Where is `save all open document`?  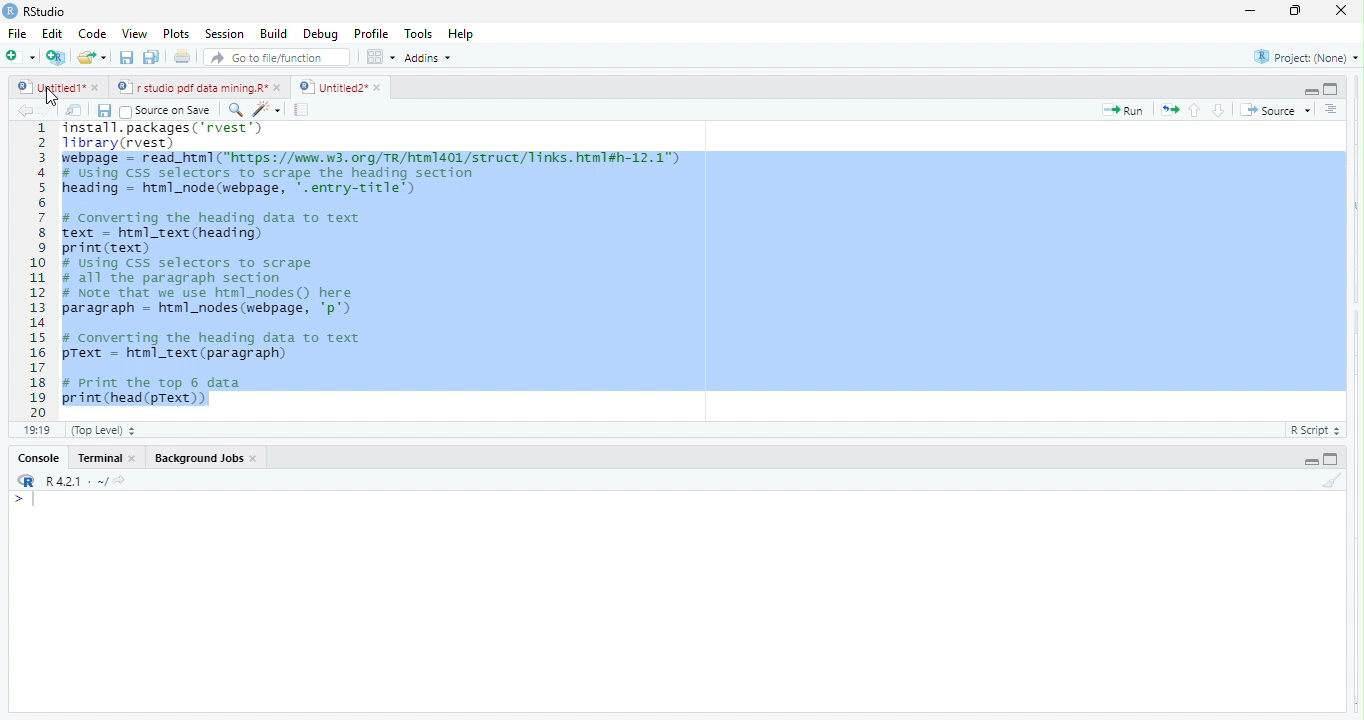
save all open document is located at coordinates (150, 57).